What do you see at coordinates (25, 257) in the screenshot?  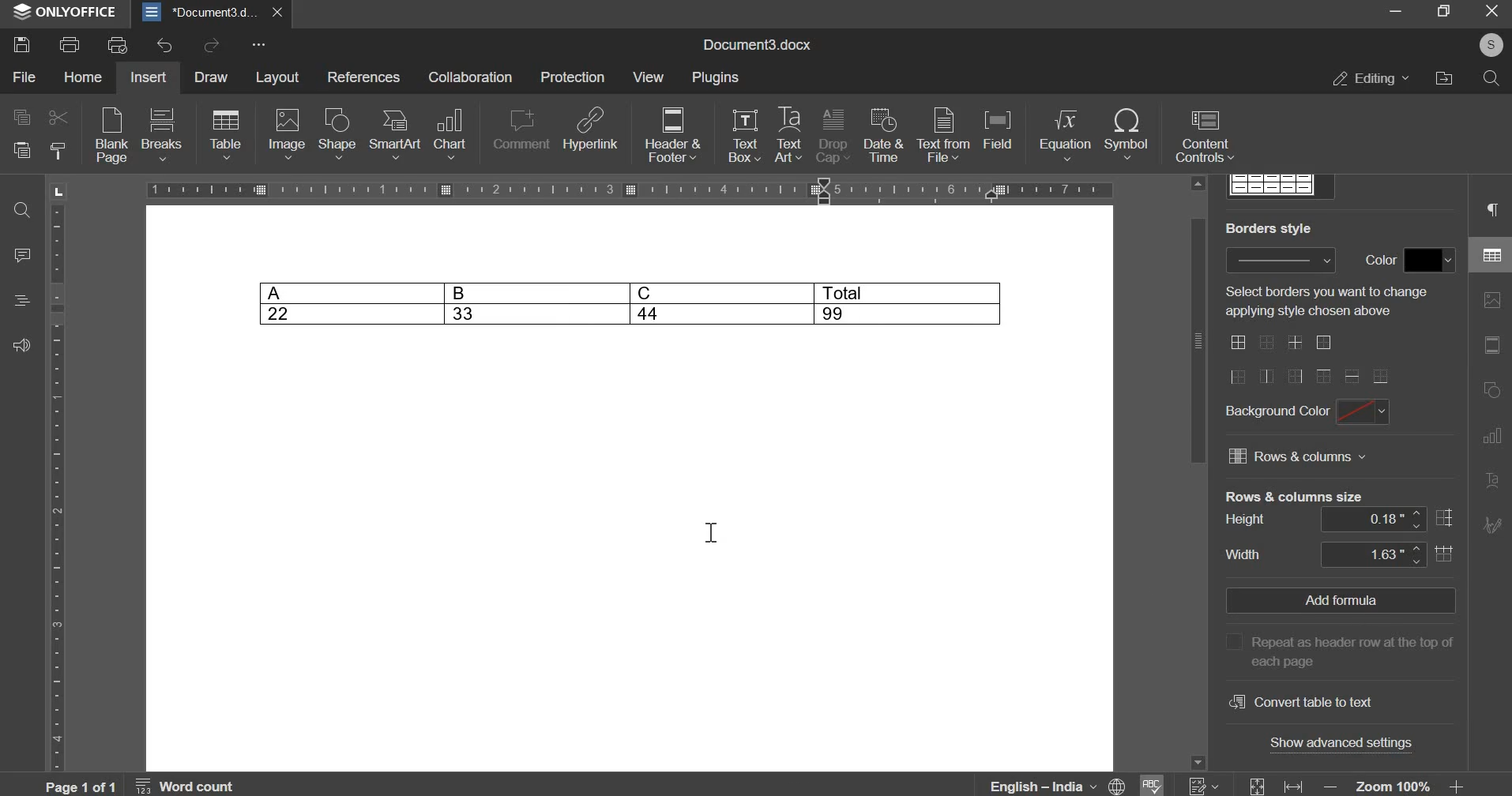 I see `comment` at bounding box center [25, 257].